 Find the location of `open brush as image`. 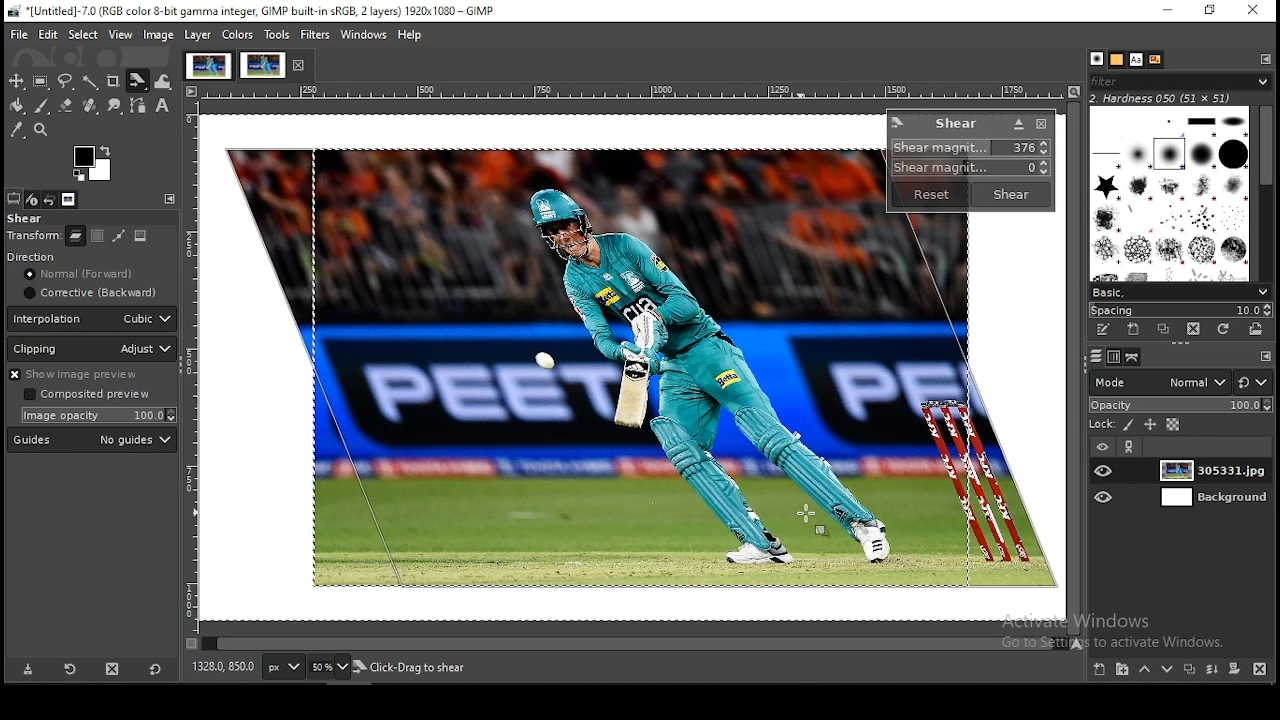

open brush as image is located at coordinates (1255, 331).